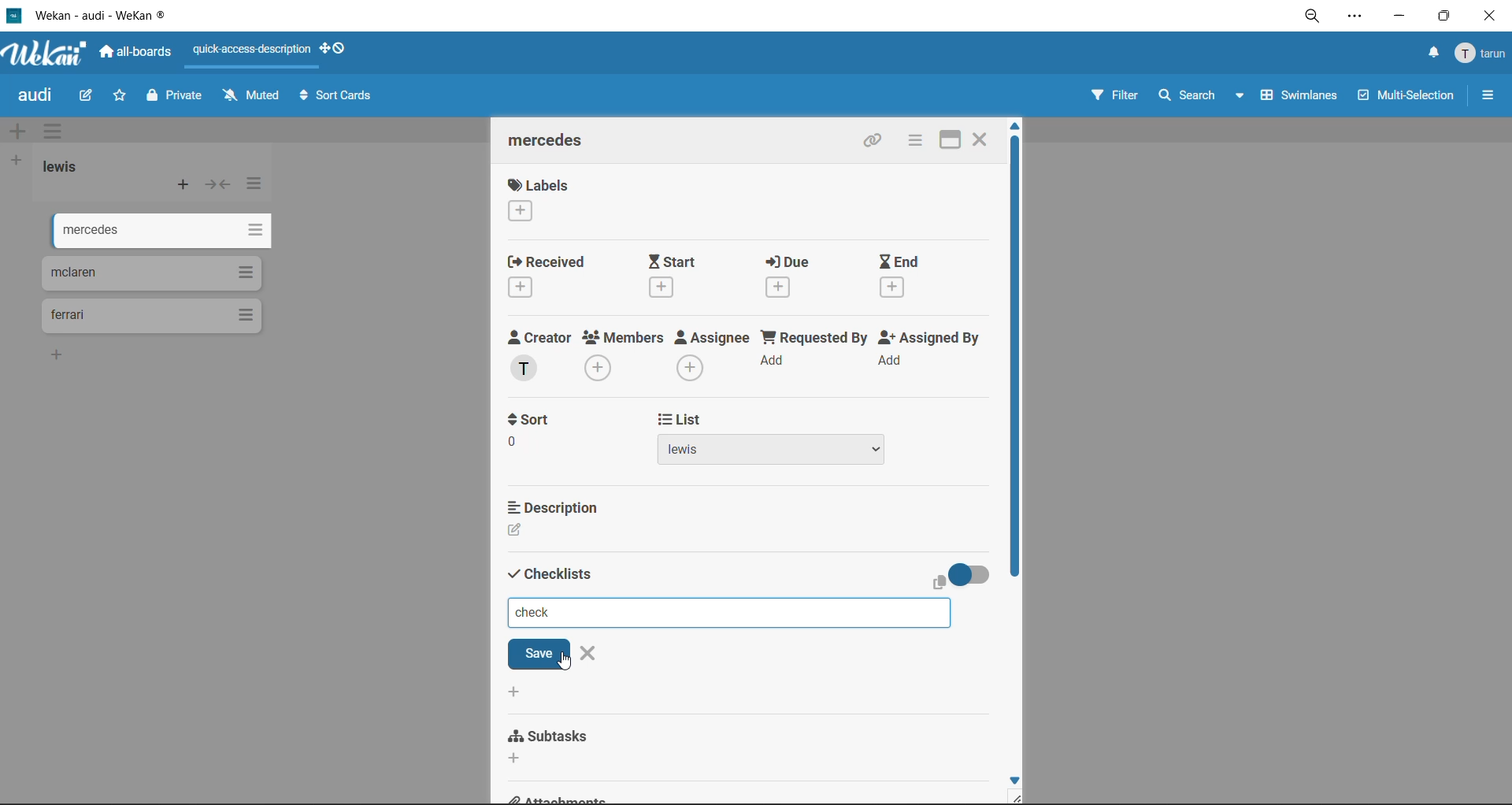 The width and height of the screenshot is (1512, 805). I want to click on list, so click(683, 420).